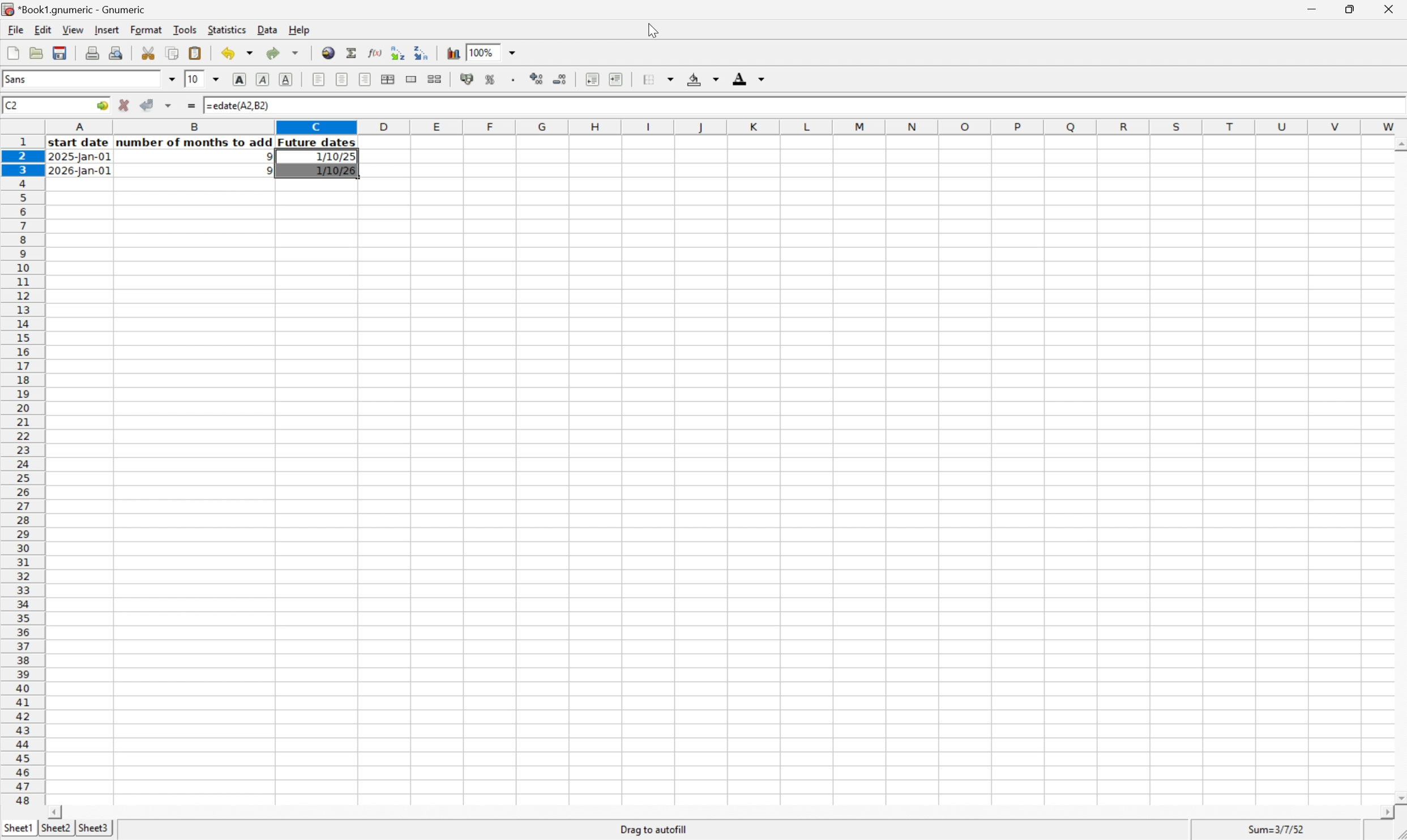 The height and width of the screenshot is (840, 1407). Describe the element at coordinates (318, 143) in the screenshot. I see `future dates` at that location.